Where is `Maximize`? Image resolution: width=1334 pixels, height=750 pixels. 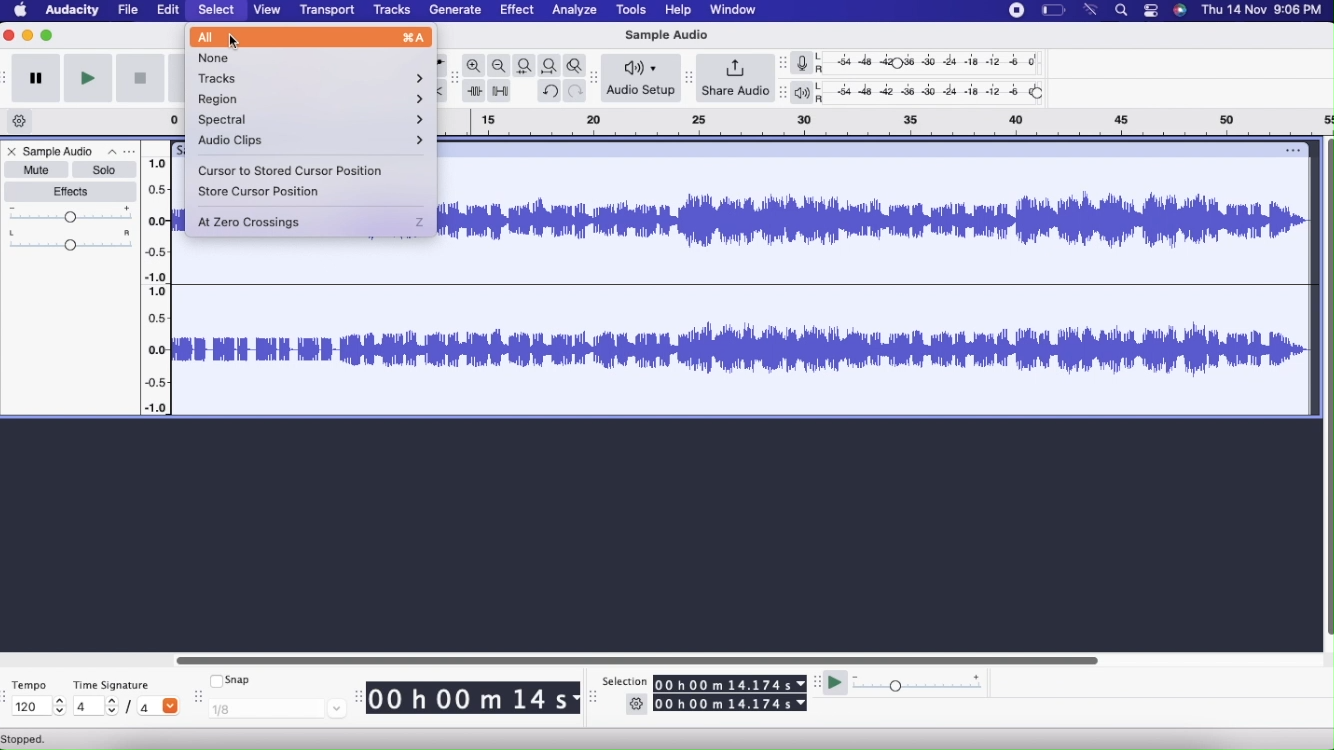
Maximize is located at coordinates (49, 33).